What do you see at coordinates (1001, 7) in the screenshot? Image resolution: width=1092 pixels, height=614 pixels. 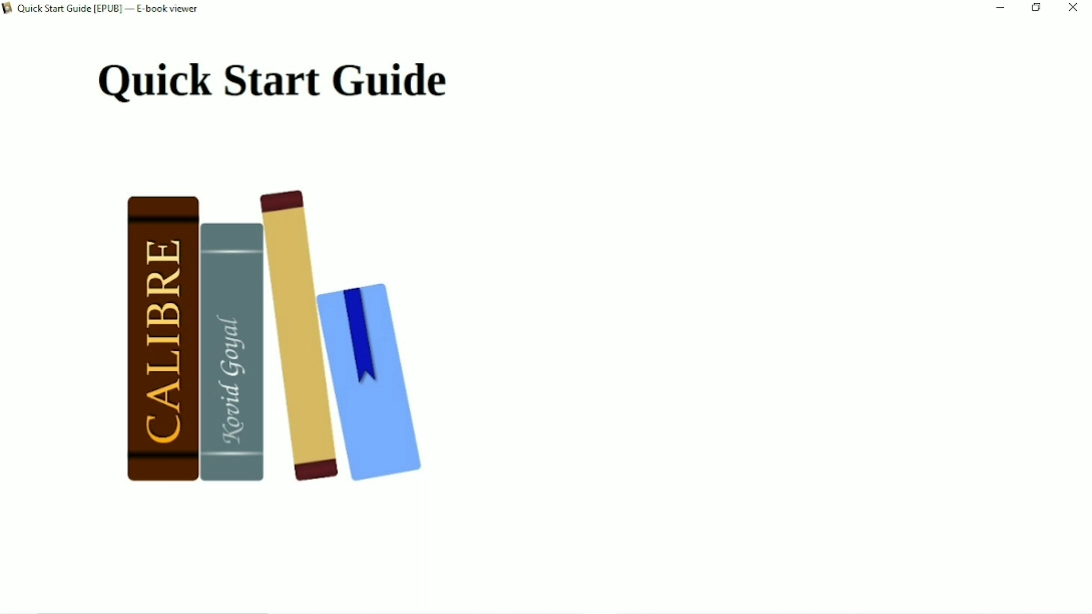 I see `Minimize` at bounding box center [1001, 7].